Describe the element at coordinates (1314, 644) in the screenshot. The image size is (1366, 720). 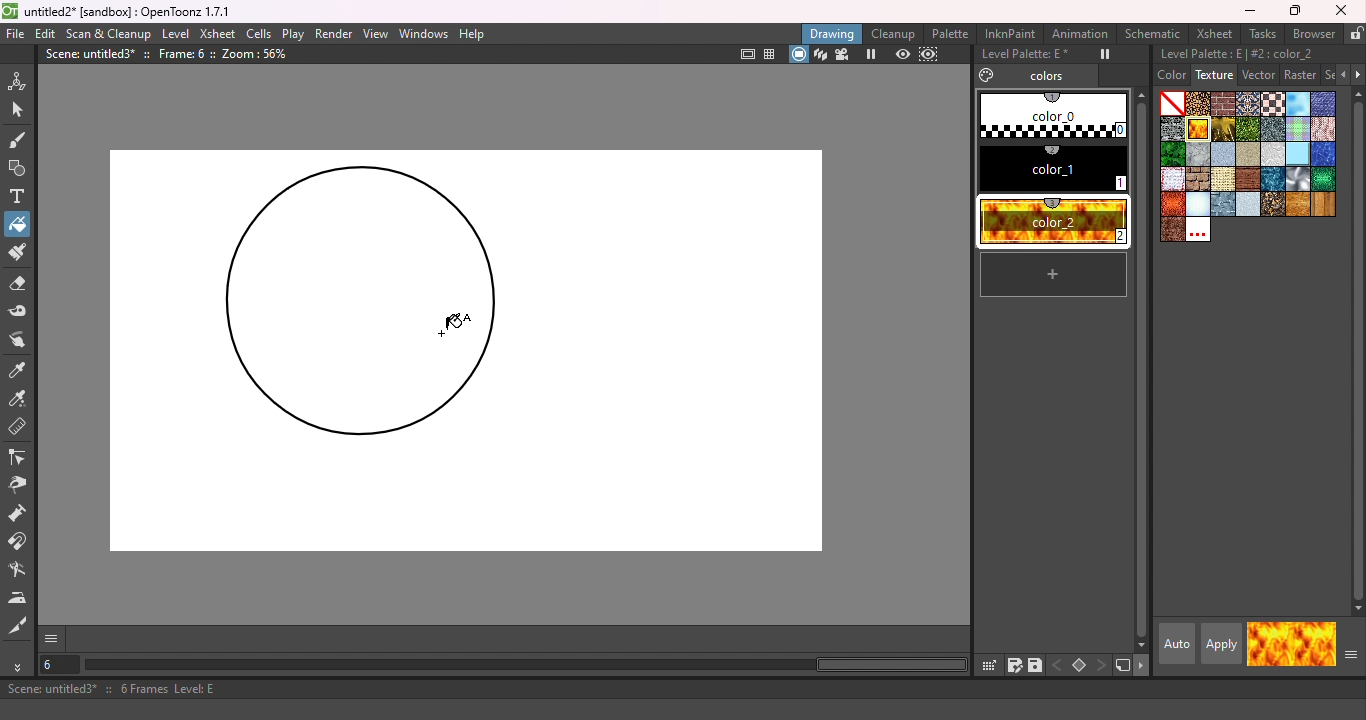
I see `return to previous style` at that location.